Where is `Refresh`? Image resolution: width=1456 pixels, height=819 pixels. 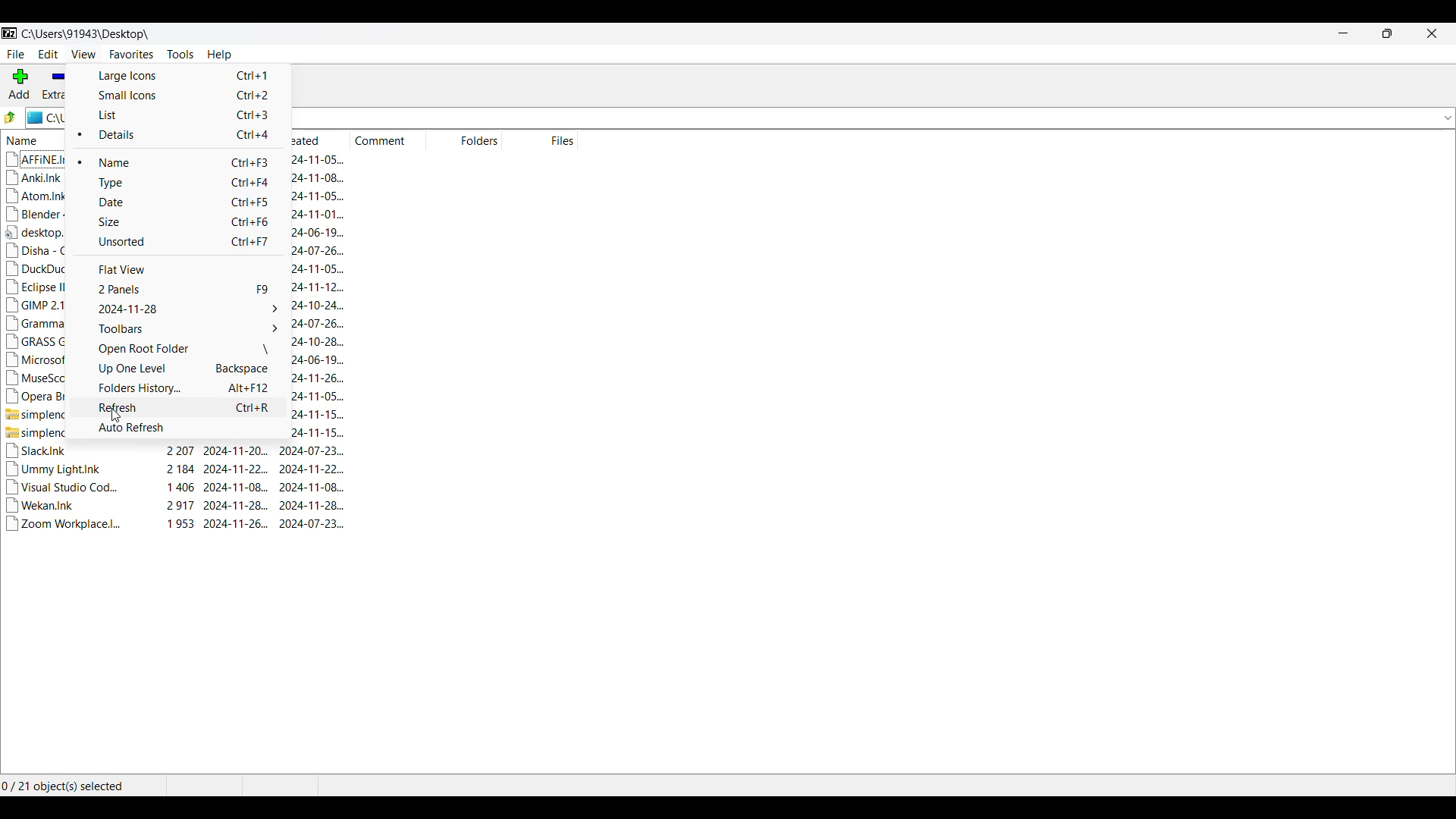
Refresh is located at coordinates (179, 408).